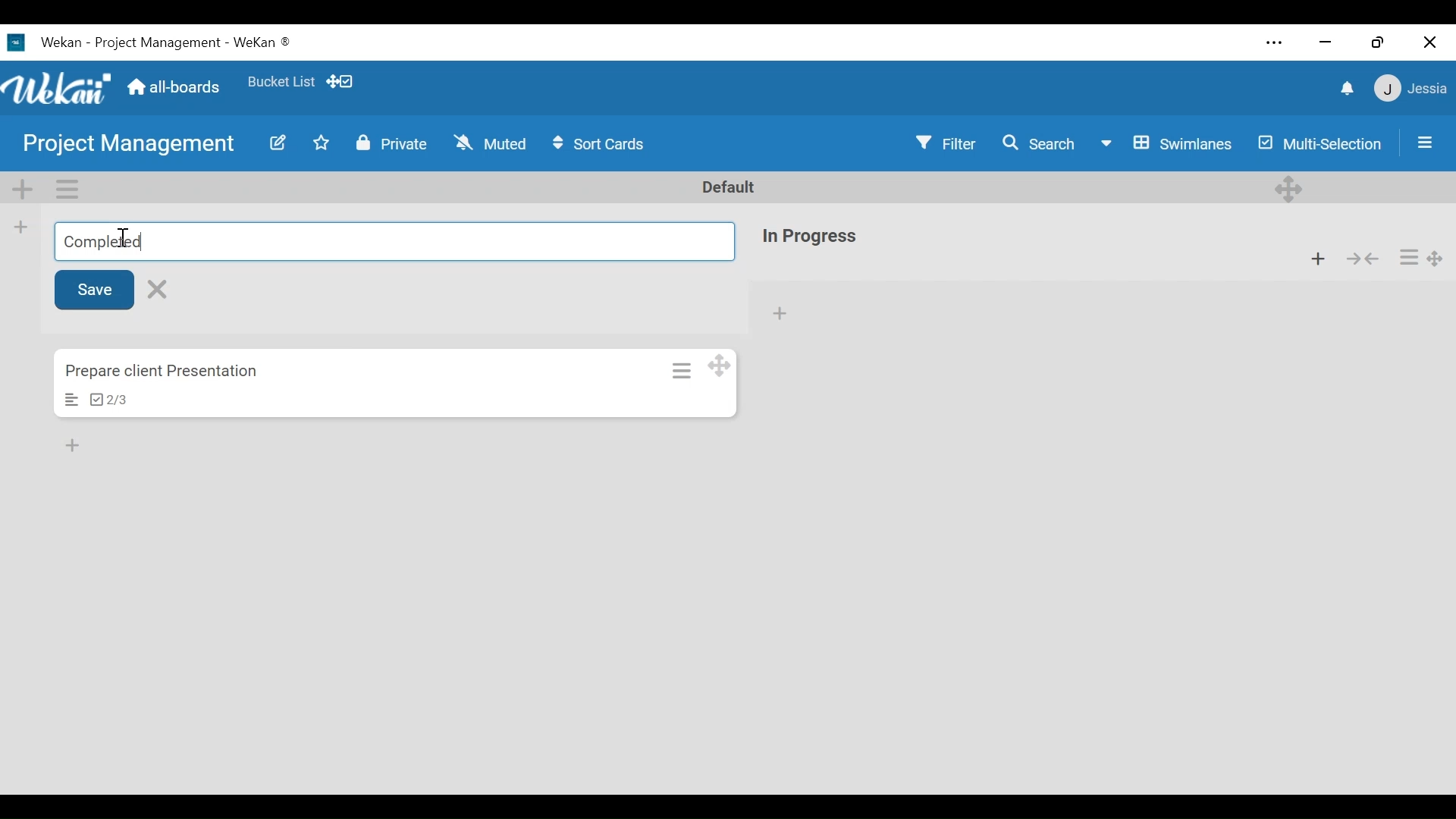 Image resolution: width=1456 pixels, height=819 pixels. Describe the element at coordinates (96, 289) in the screenshot. I see `Save` at that location.